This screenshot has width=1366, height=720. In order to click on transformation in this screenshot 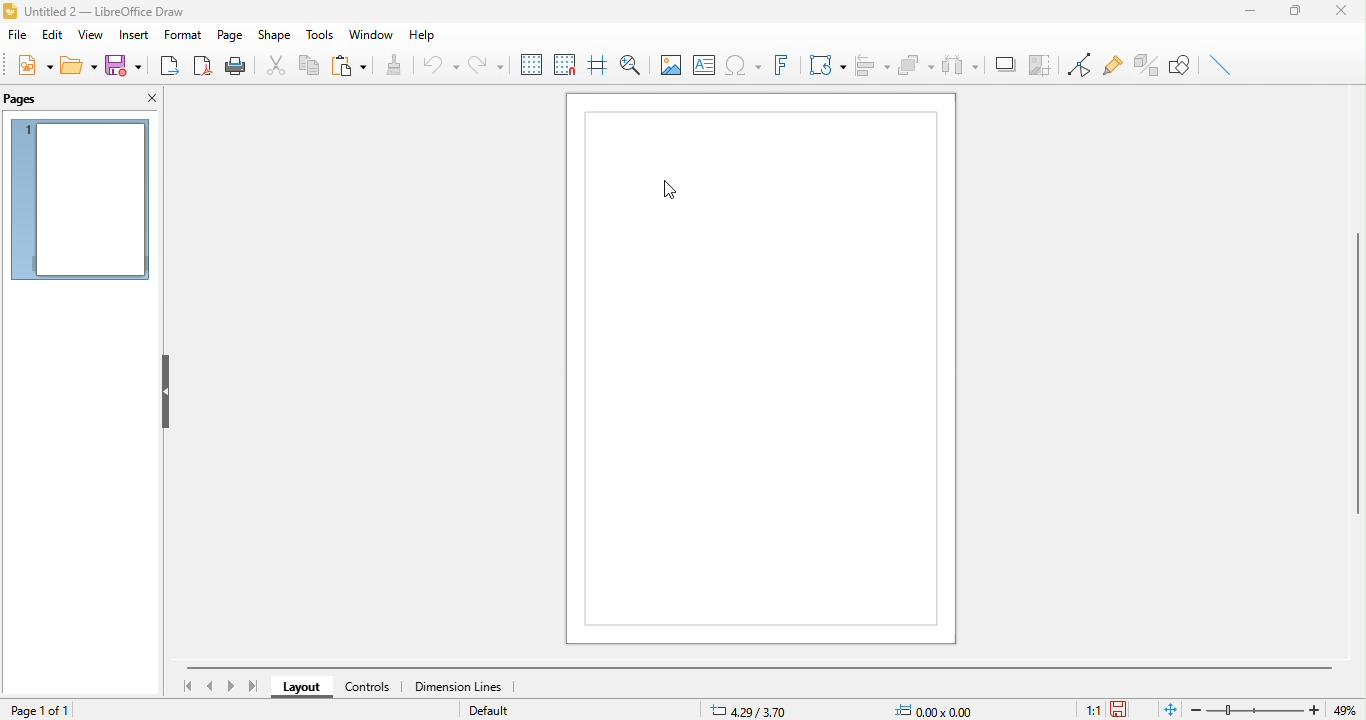, I will do `click(823, 64)`.